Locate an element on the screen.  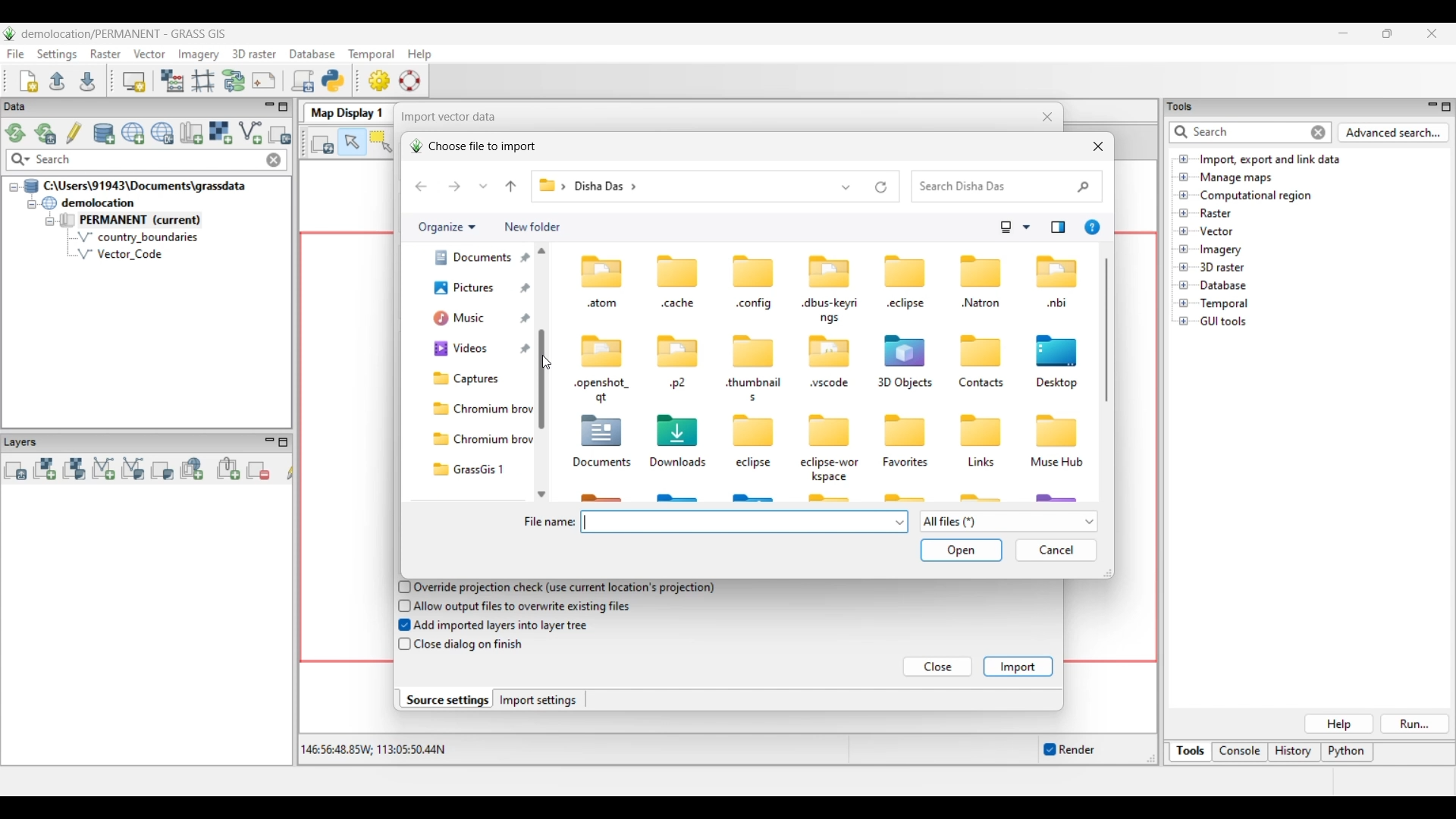
Close window is located at coordinates (1098, 146).